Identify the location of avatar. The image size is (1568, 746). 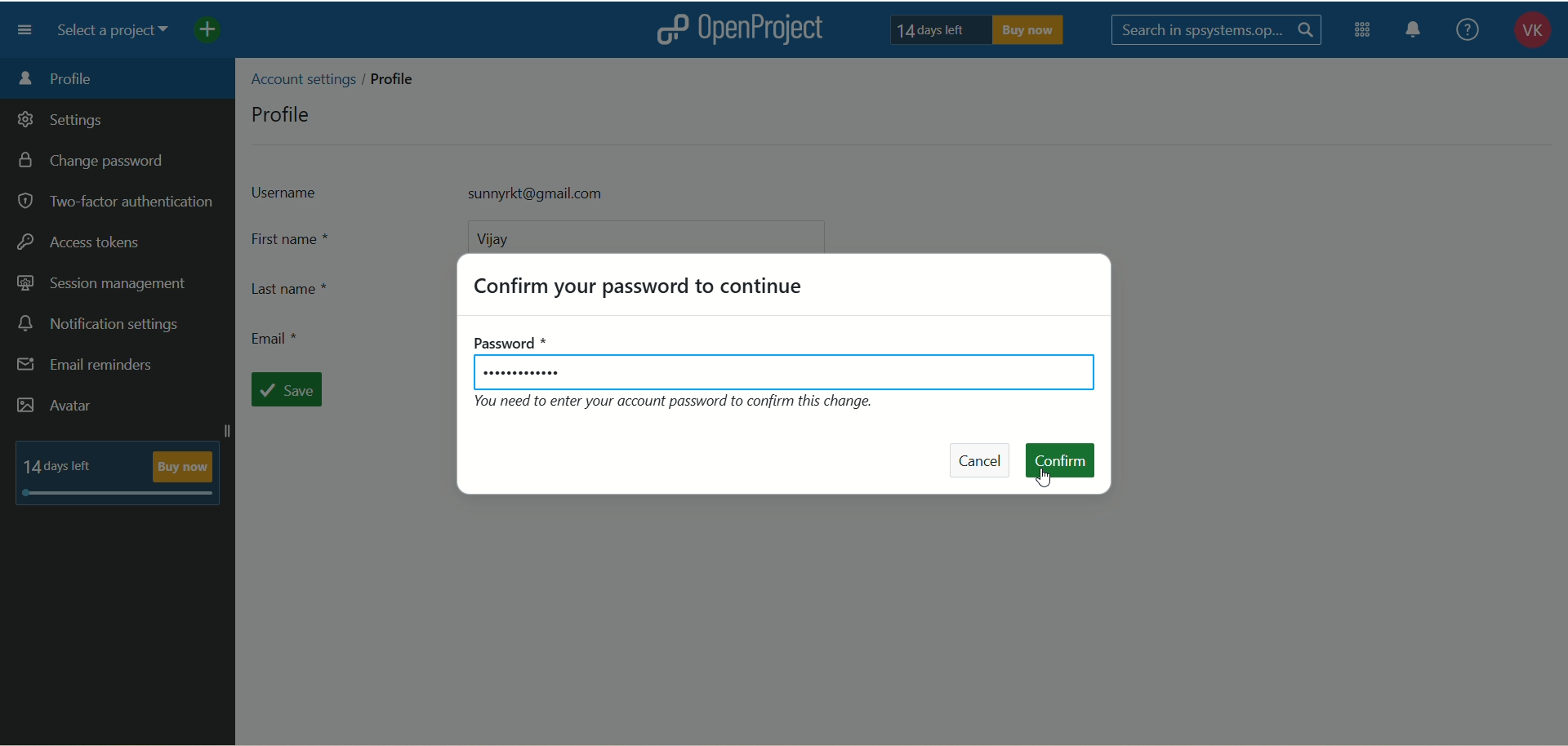
(56, 406).